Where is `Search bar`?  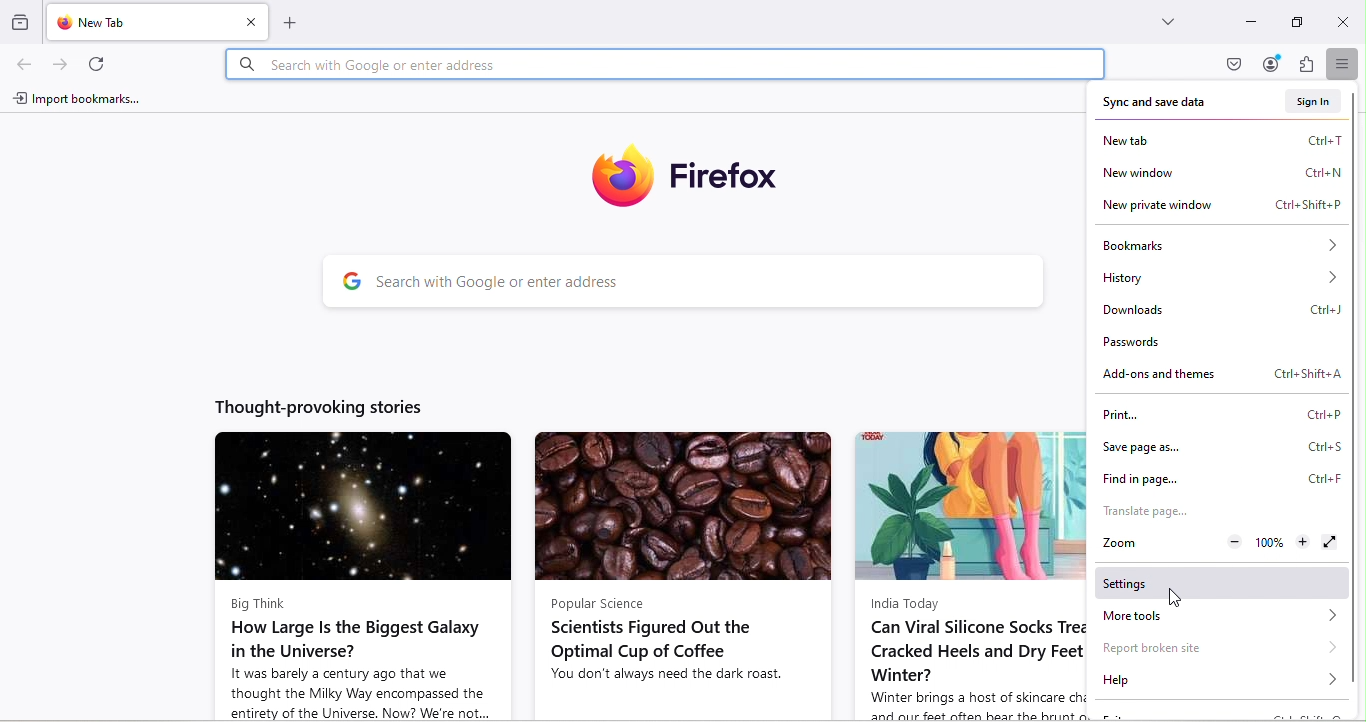 Search bar is located at coordinates (678, 284).